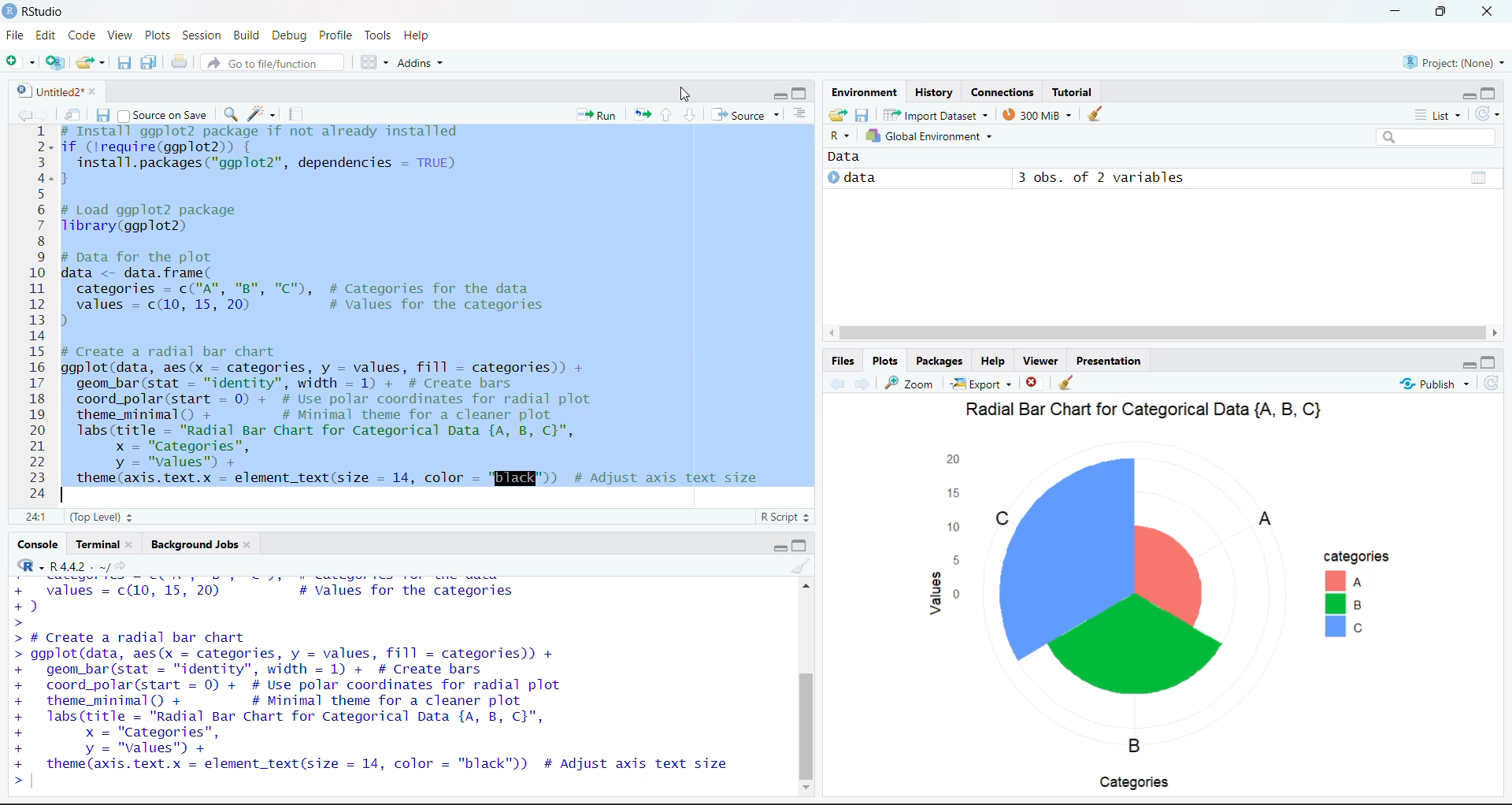  Describe the element at coordinates (913, 383) in the screenshot. I see `zoom` at that location.